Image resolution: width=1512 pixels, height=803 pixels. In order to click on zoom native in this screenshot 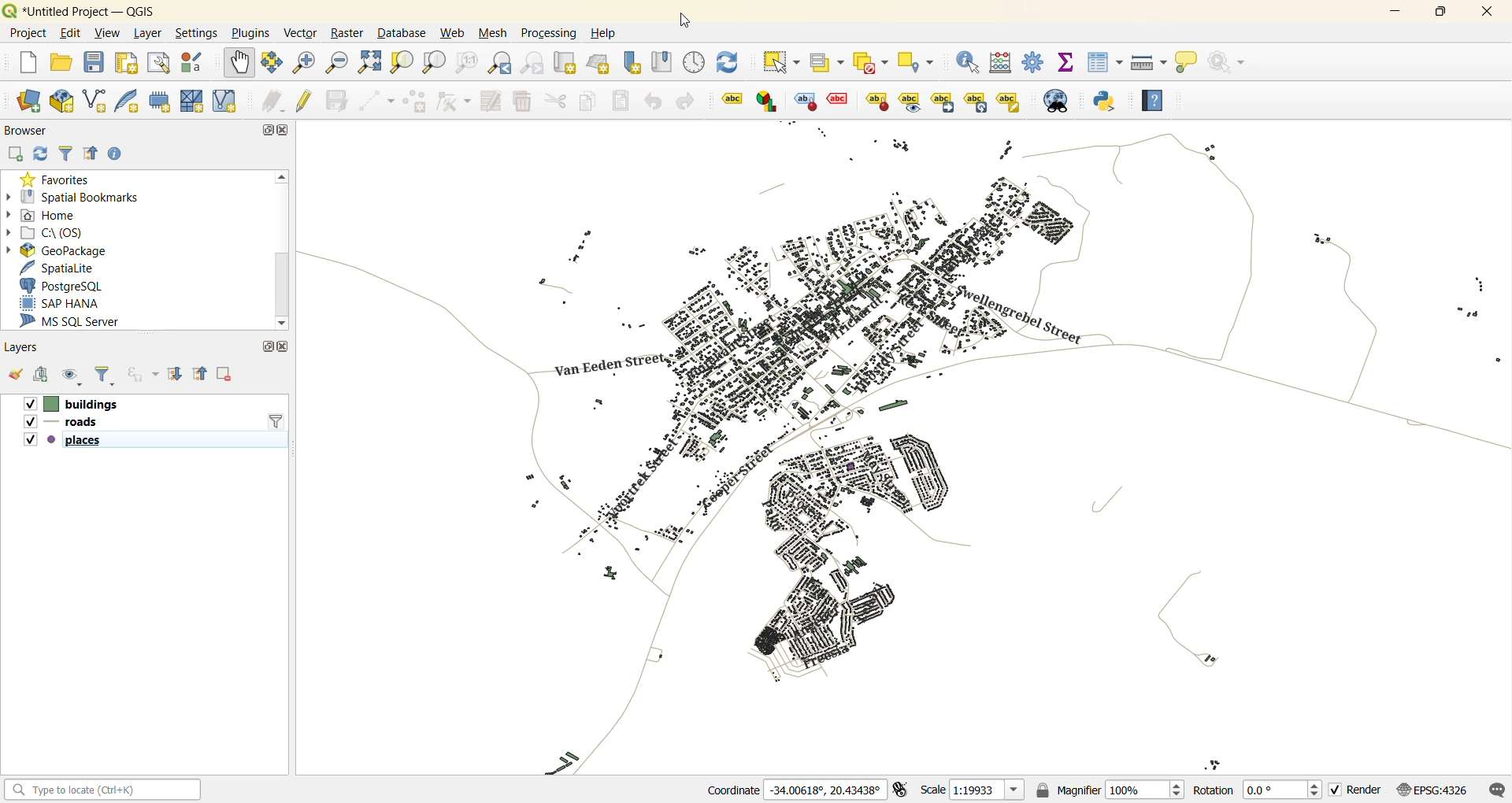, I will do `click(466, 63)`.